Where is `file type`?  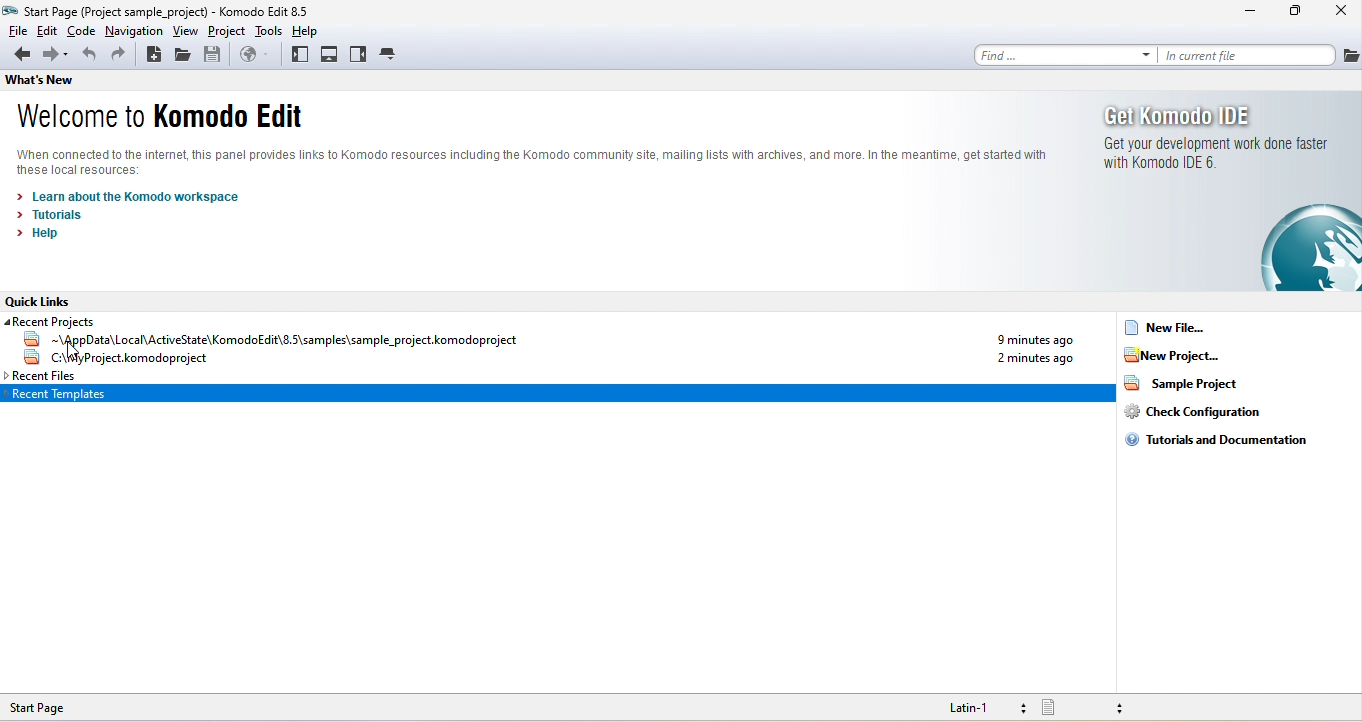 file type is located at coordinates (1080, 708).